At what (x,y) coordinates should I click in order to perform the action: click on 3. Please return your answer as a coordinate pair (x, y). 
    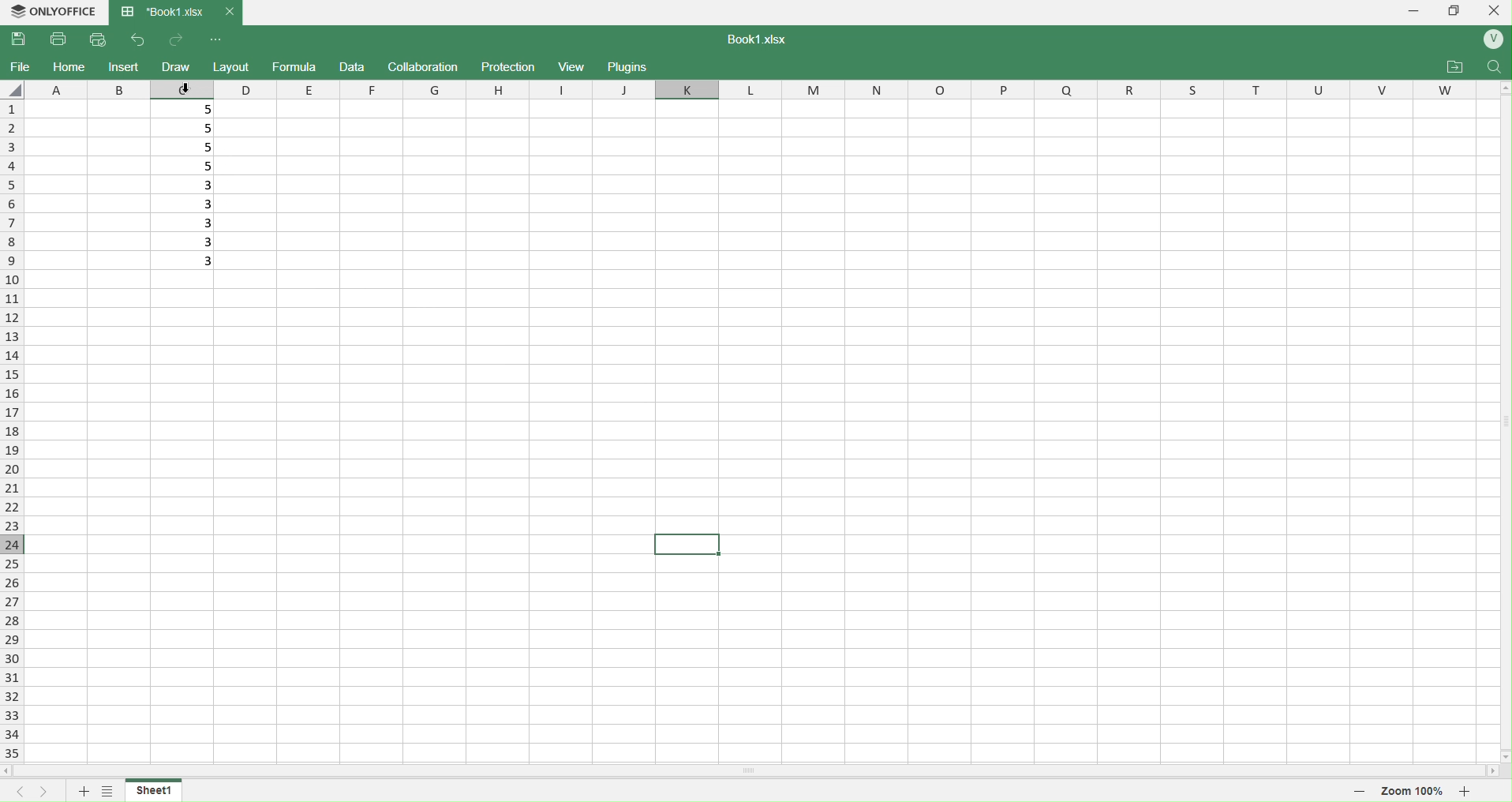
    Looking at the image, I should click on (189, 221).